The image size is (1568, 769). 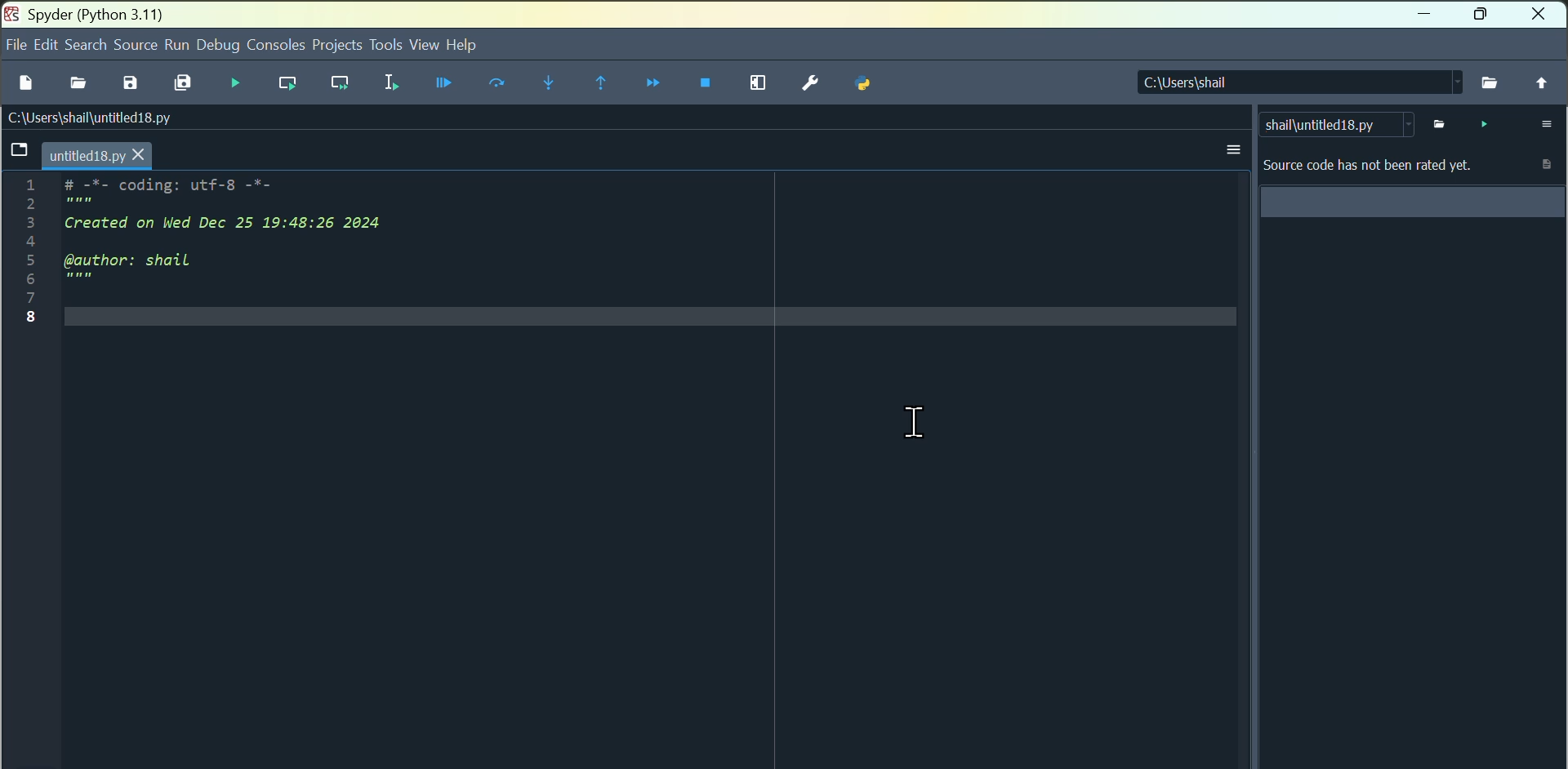 What do you see at coordinates (1436, 122) in the screenshot?
I see `browse file` at bounding box center [1436, 122].